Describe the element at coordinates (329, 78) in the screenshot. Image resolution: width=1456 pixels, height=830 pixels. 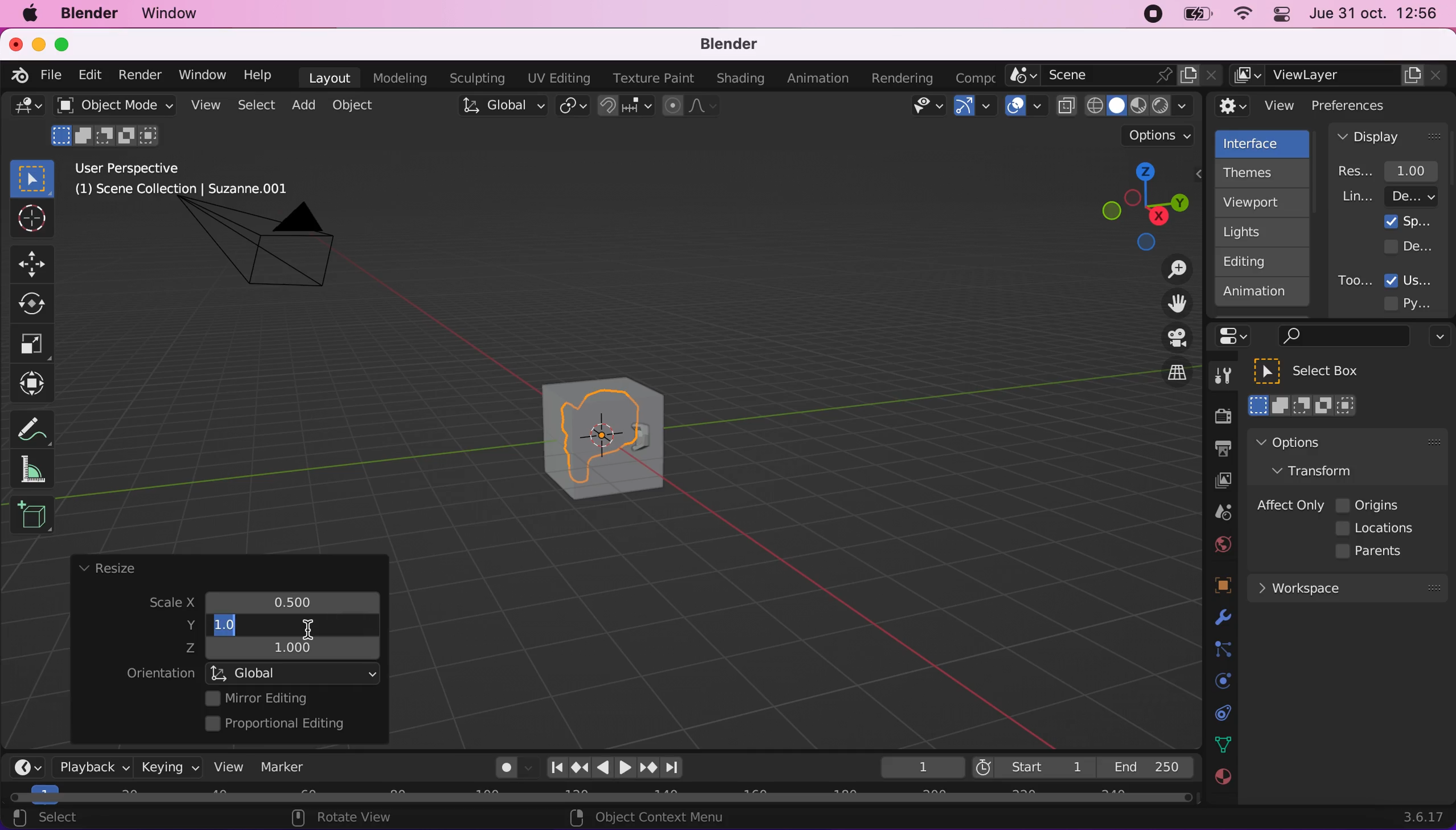
I see `layout` at that location.